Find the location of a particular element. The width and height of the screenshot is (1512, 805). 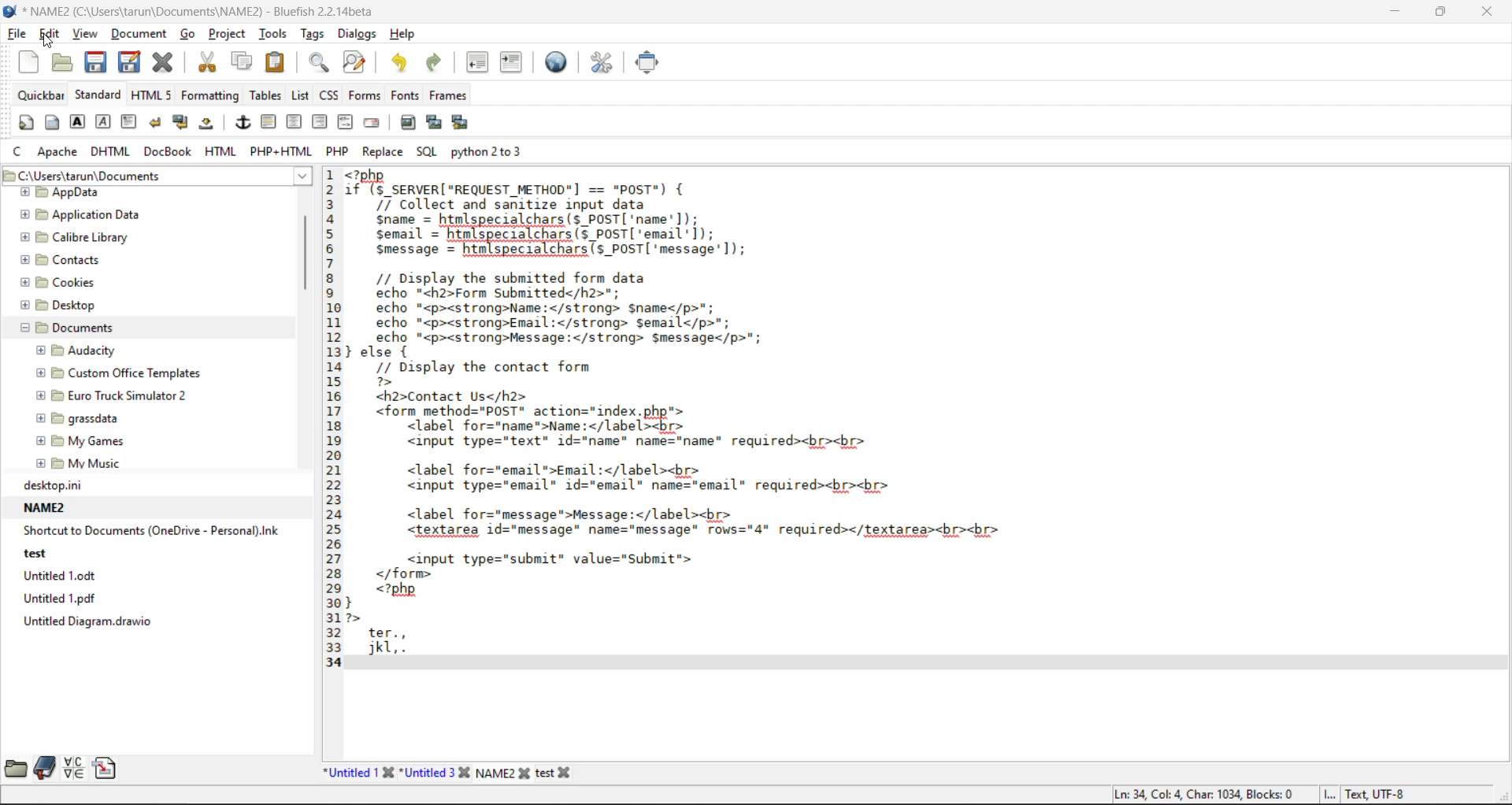

close file is located at coordinates (164, 63).